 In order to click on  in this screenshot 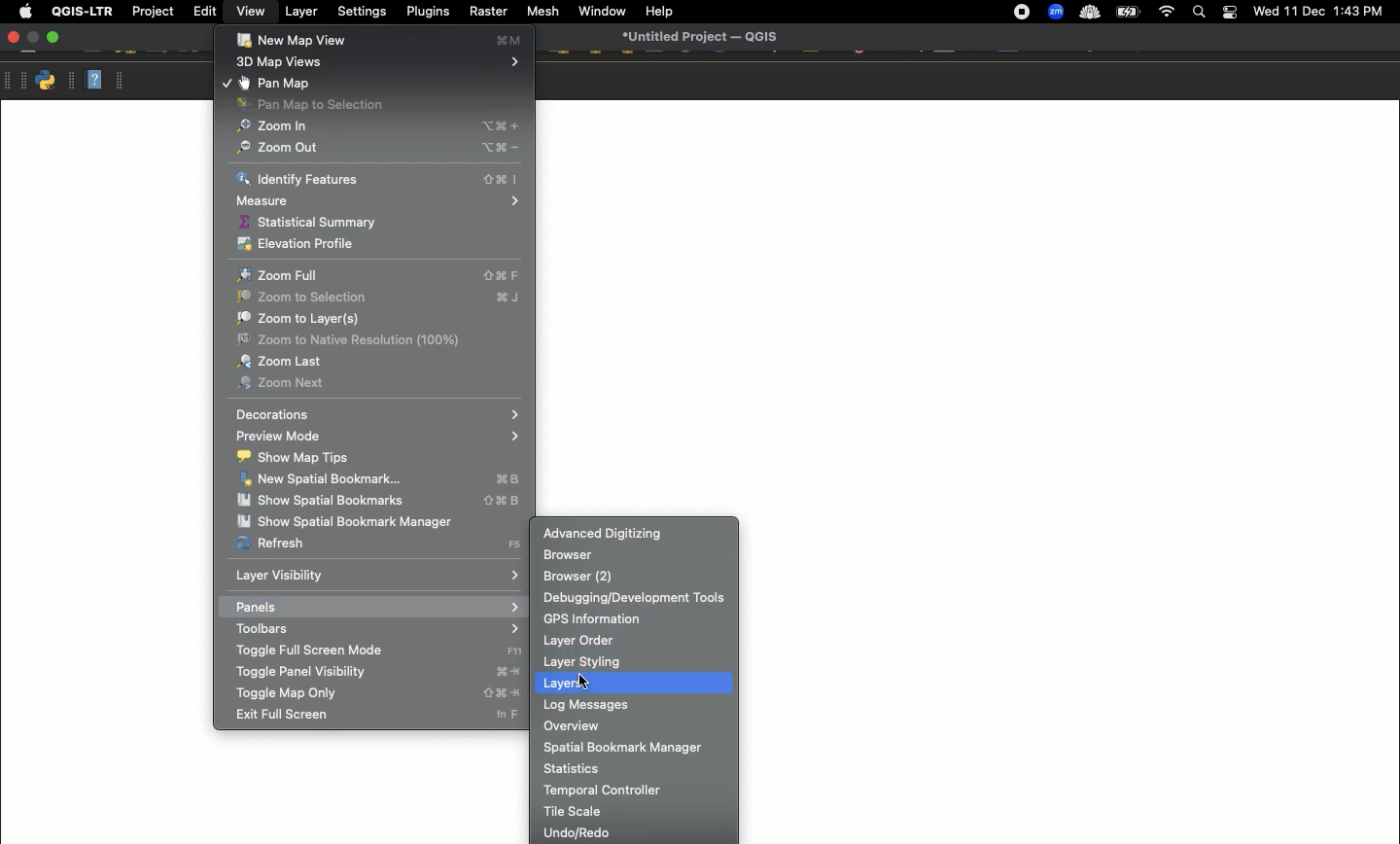, I will do `click(1093, 14)`.